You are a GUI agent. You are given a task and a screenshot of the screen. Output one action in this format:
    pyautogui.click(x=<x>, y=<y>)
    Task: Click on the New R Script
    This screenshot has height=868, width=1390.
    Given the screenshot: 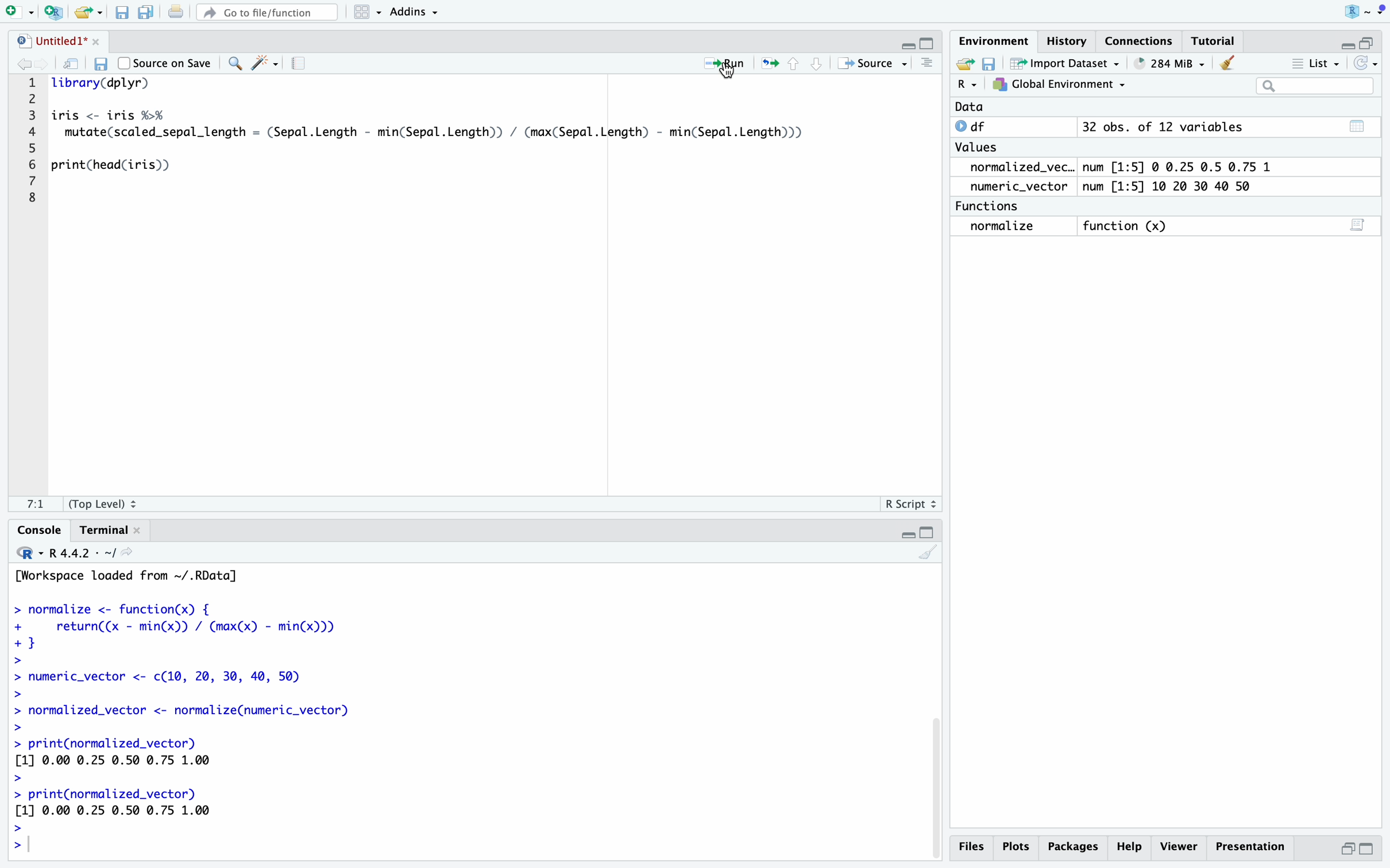 What is the action you would take?
    pyautogui.click(x=53, y=13)
    